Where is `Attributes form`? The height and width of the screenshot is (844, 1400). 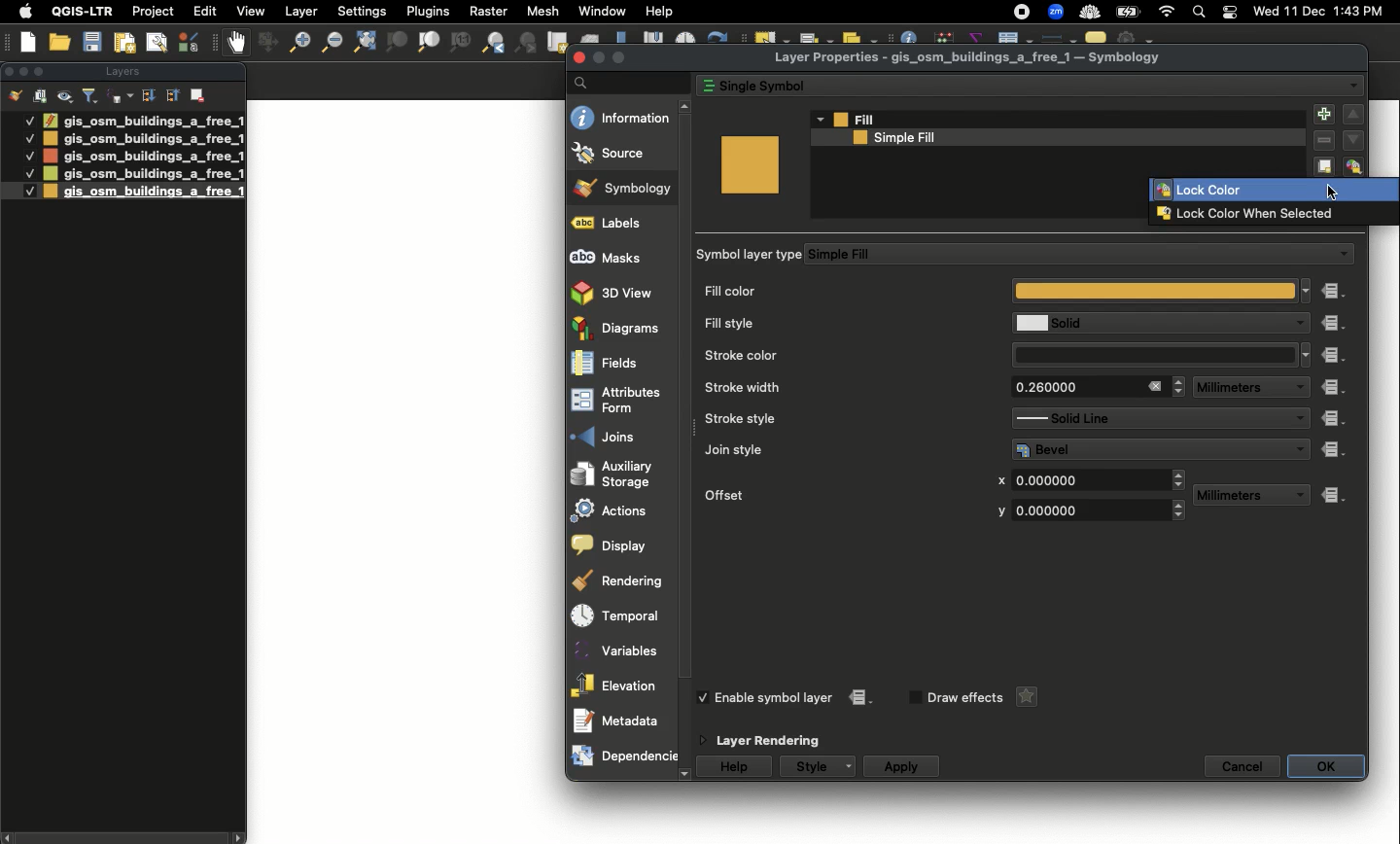
Attributes form is located at coordinates (620, 400).